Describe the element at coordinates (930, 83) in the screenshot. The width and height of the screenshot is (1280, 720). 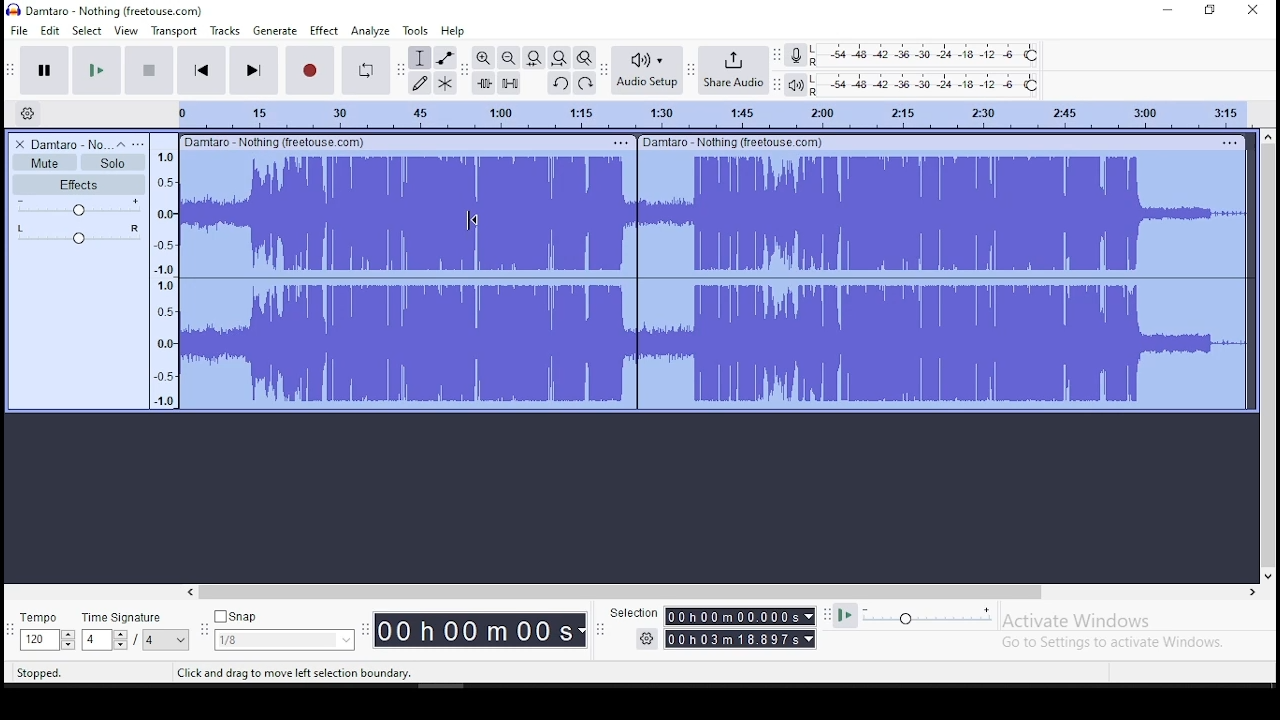
I see `playback level` at that location.